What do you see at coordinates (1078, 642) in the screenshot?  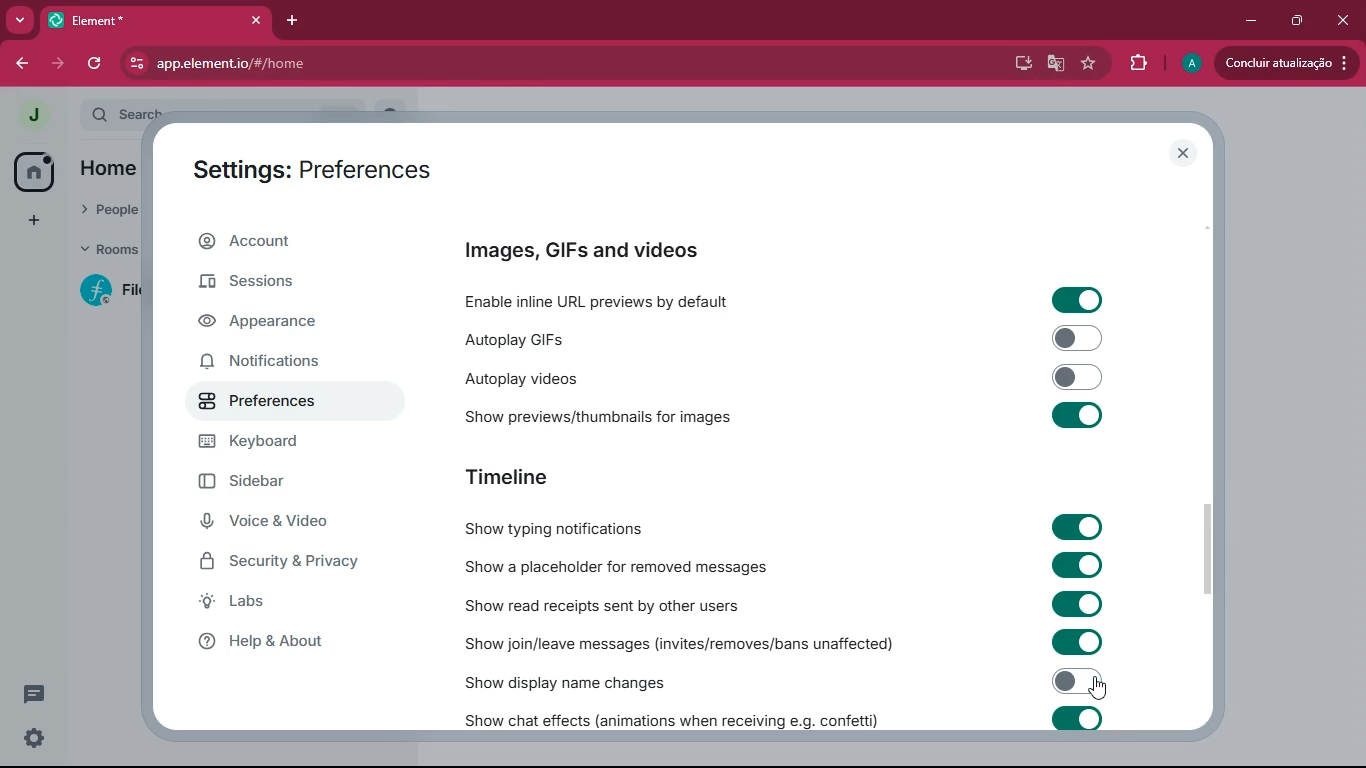 I see `toggle on/off` at bounding box center [1078, 642].